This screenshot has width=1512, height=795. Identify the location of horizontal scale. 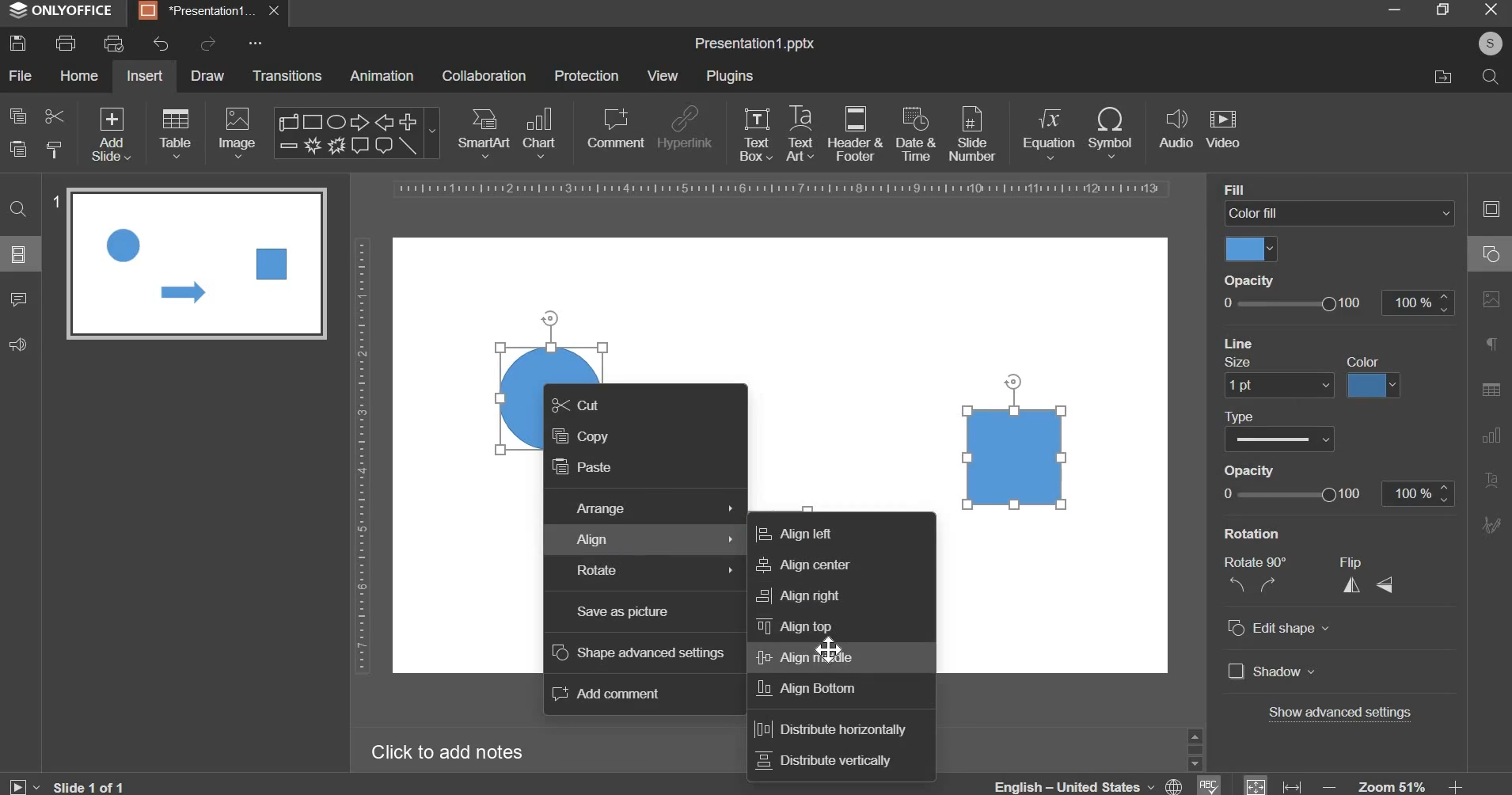
(783, 189).